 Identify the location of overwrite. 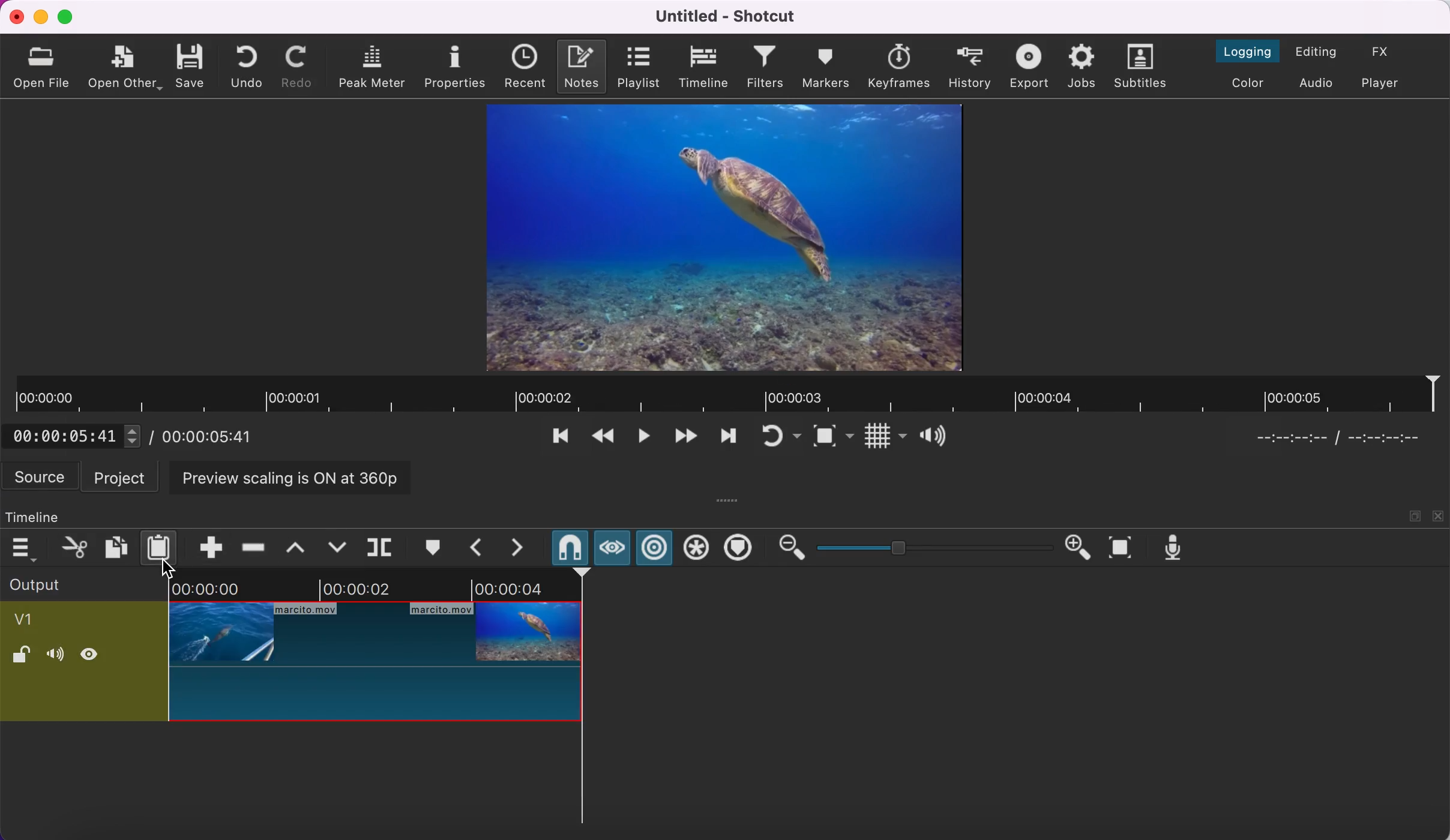
(336, 547).